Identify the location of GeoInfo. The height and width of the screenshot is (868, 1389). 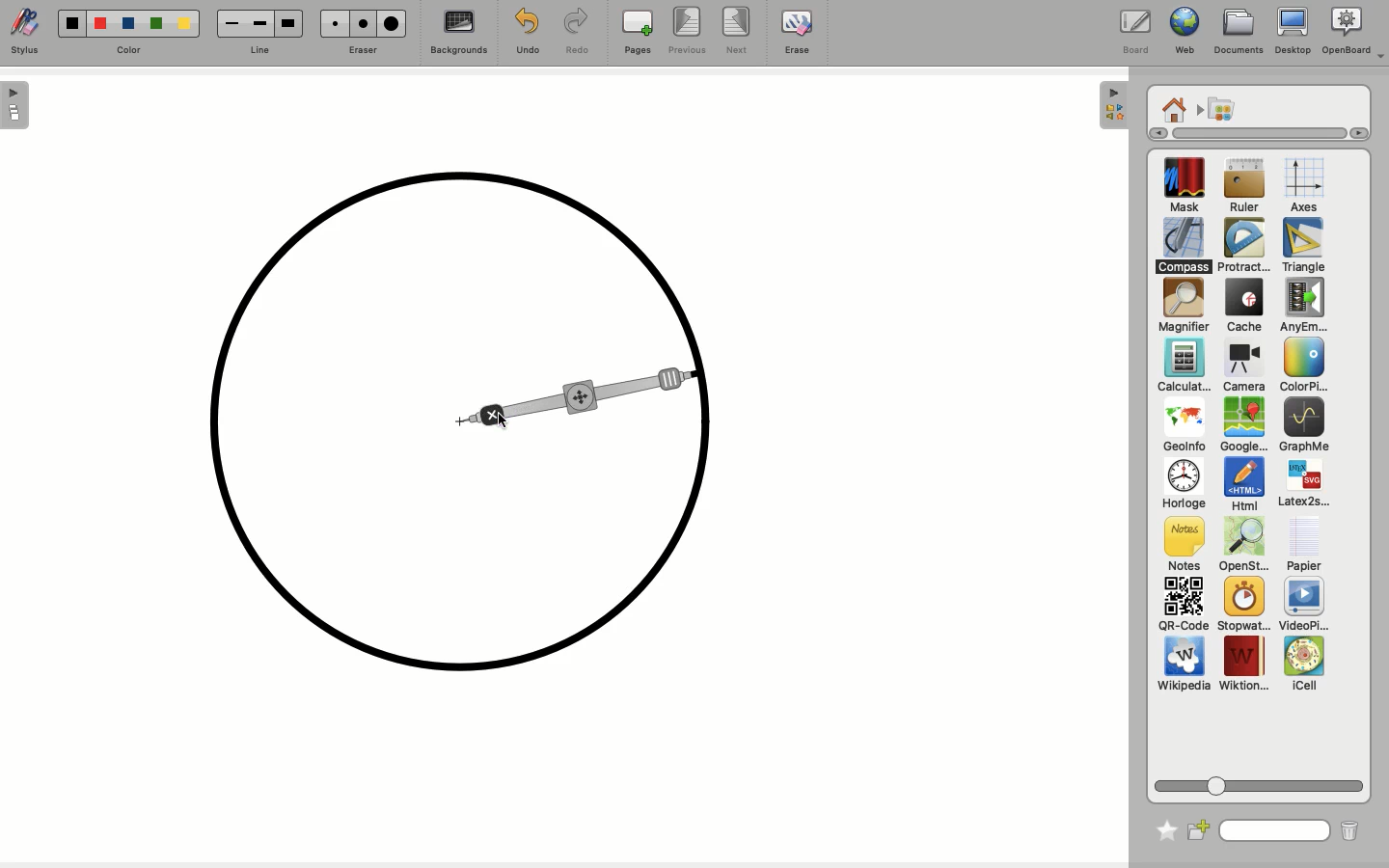
(1184, 430).